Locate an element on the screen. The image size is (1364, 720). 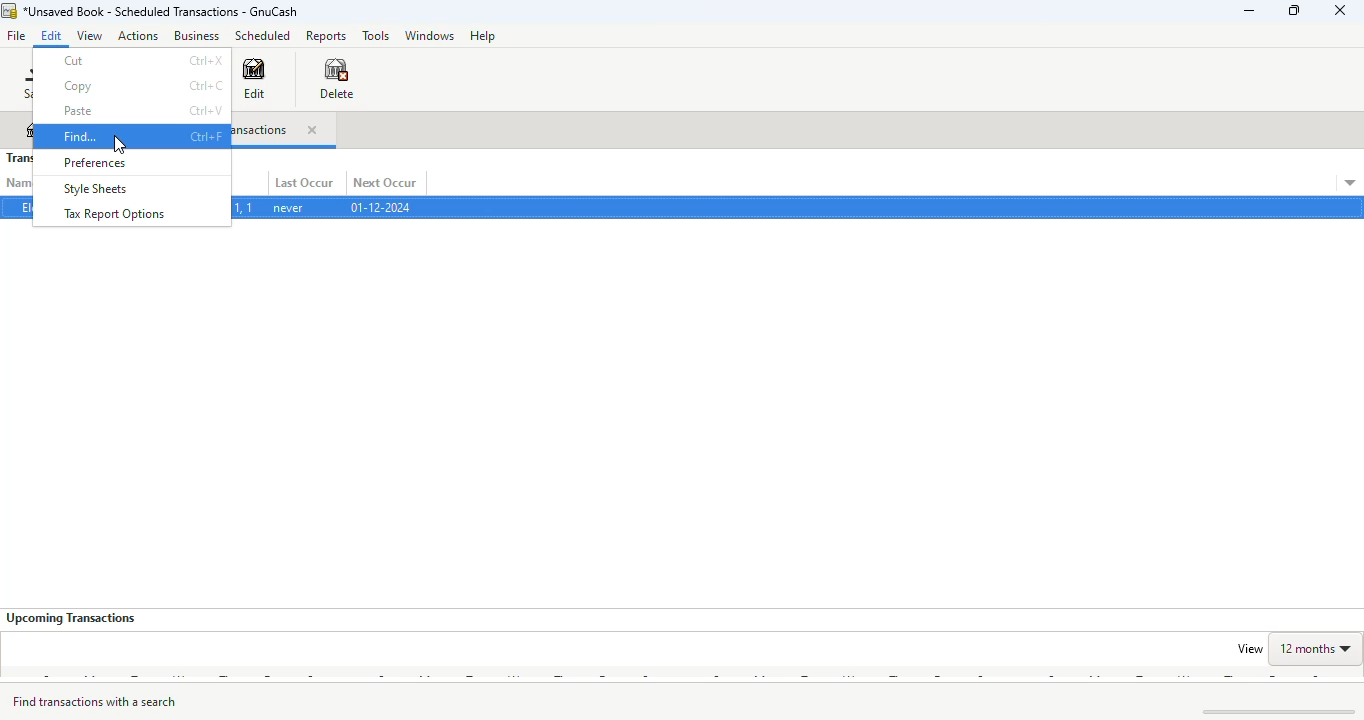
paste is located at coordinates (78, 112).